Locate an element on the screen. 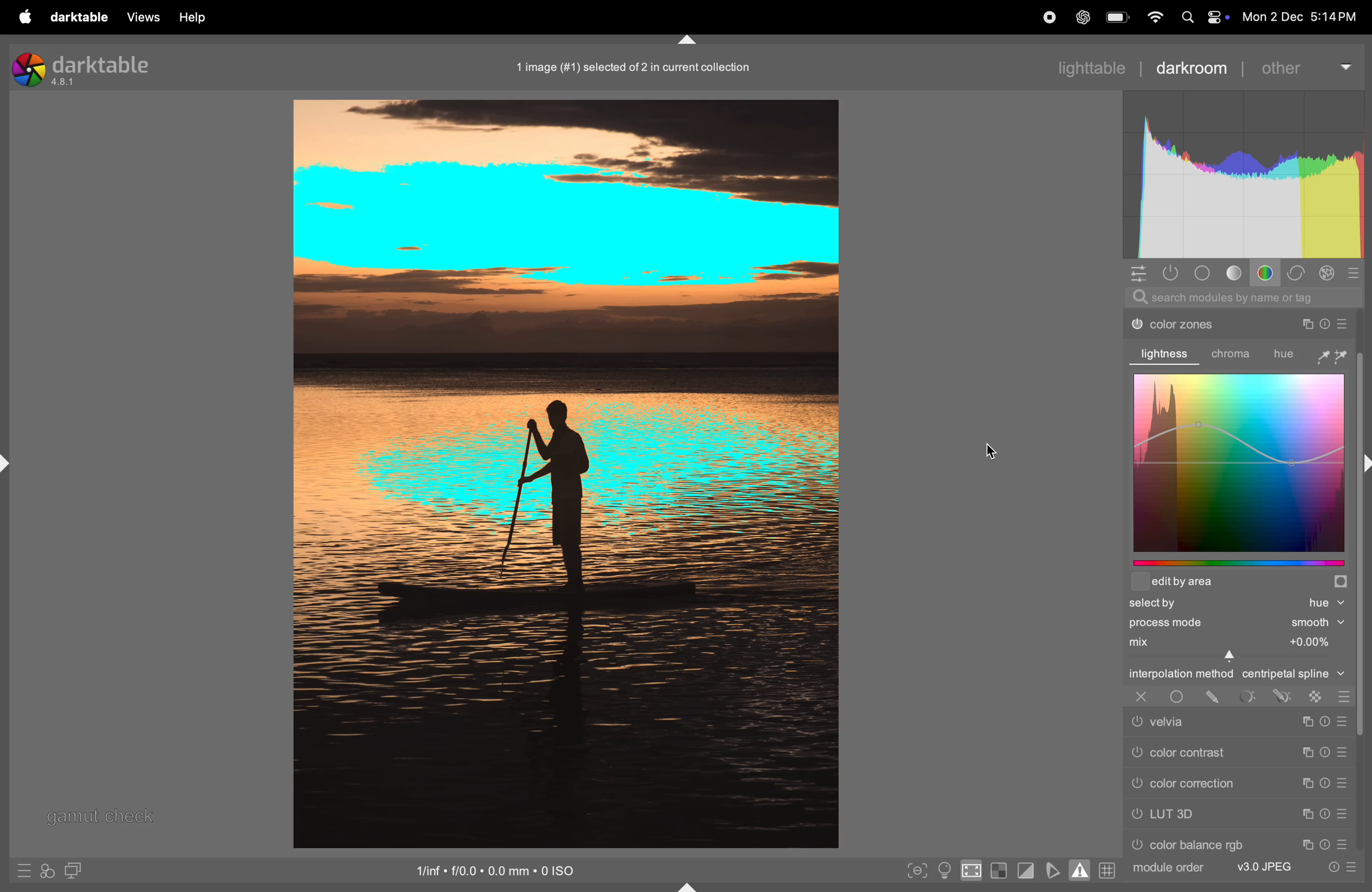 The image size is (1372, 892). Copy is located at coordinates (1306, 752).